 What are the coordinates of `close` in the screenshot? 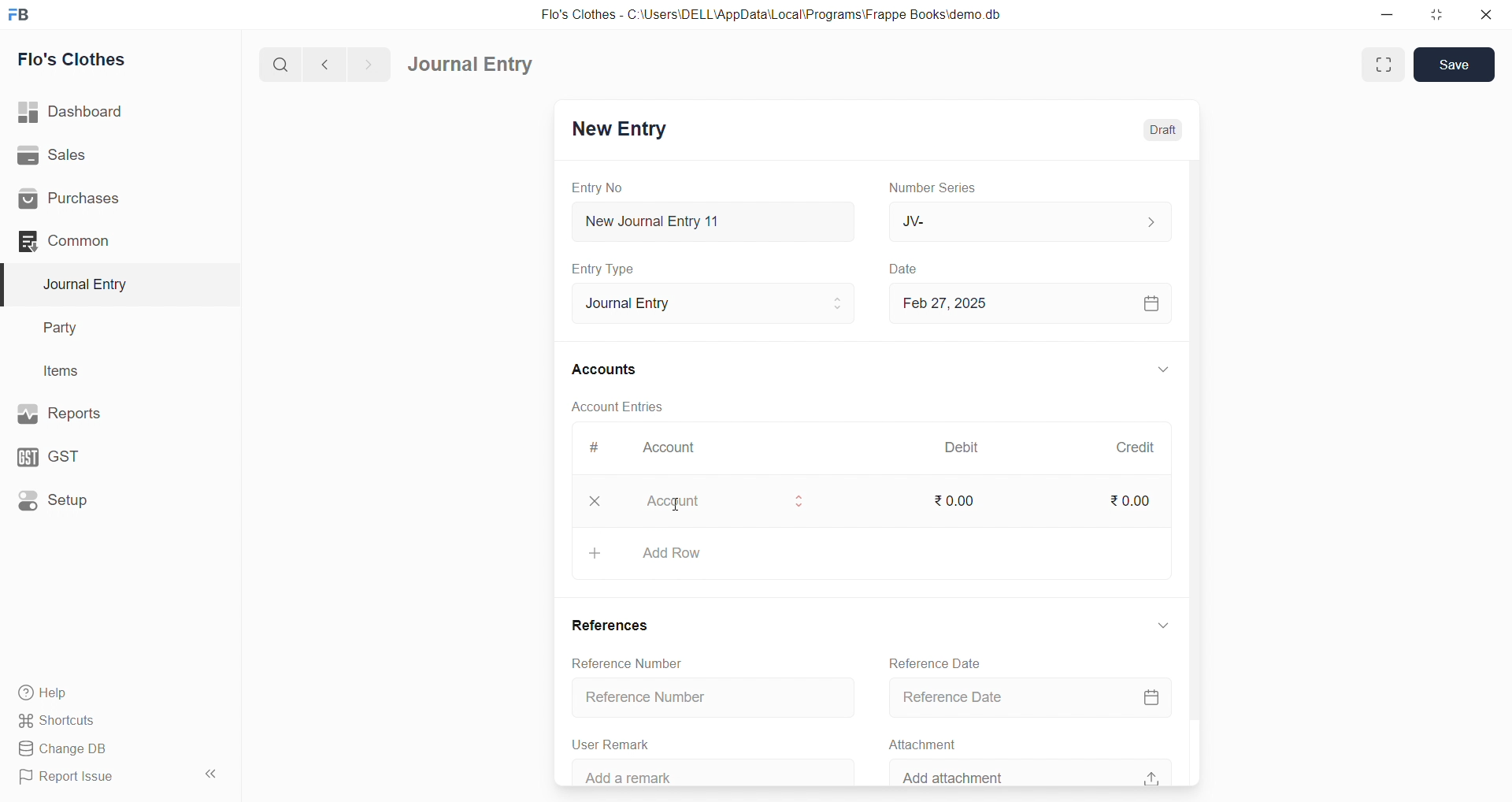 It's located at (594, 501).